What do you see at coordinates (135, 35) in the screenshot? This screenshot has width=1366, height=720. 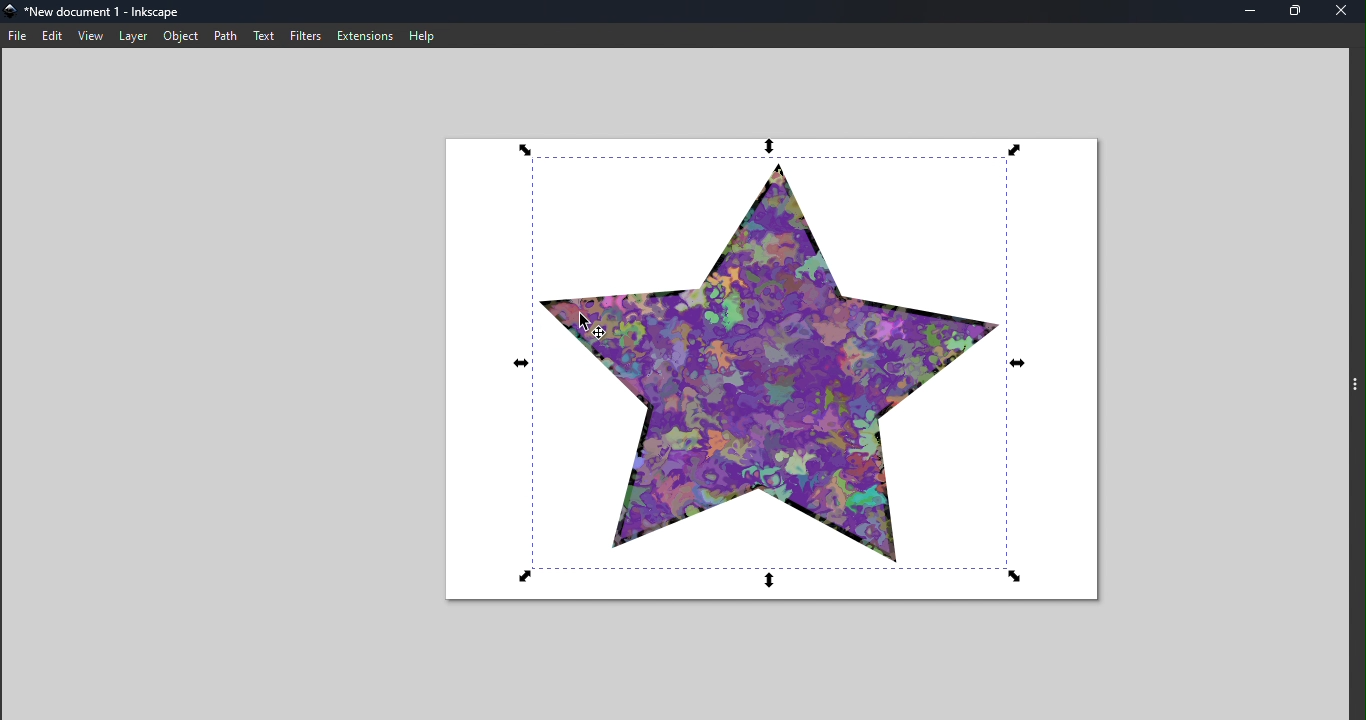 I see `Layer` at bounding box center [135, 35].